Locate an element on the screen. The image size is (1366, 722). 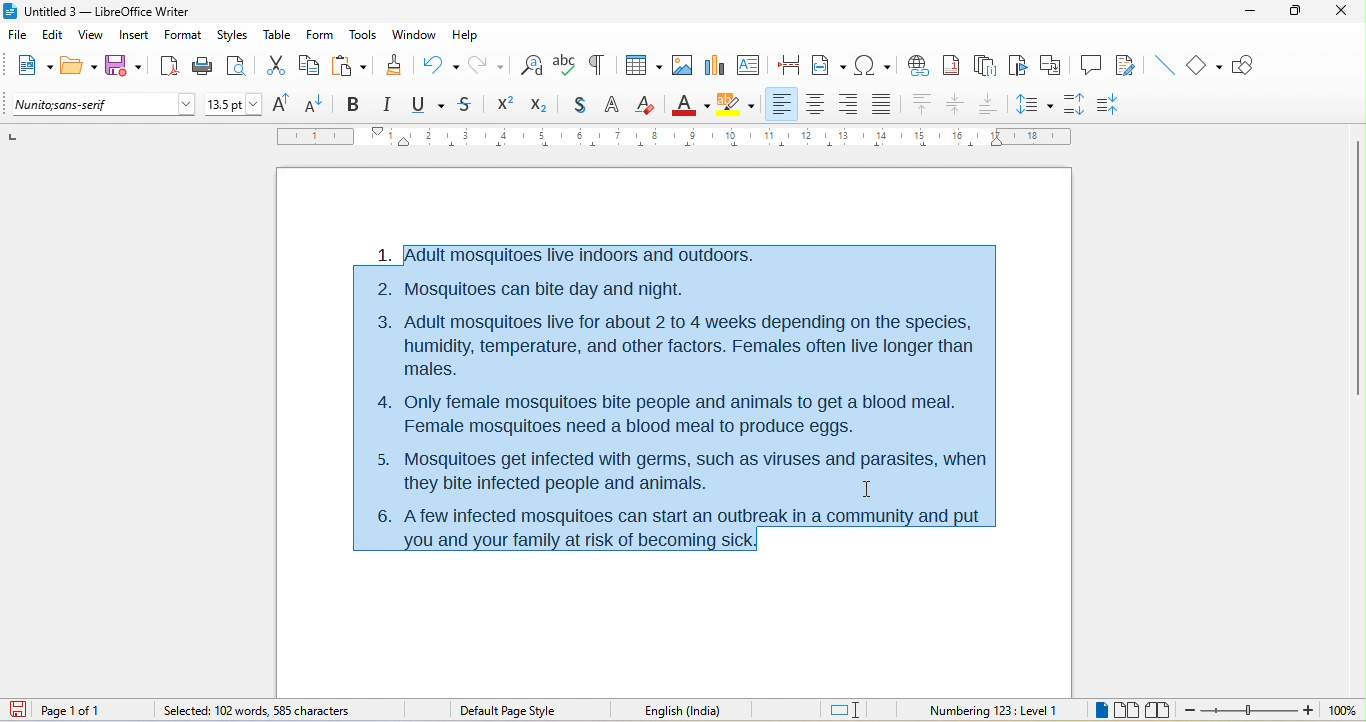
new is located at coordinates (30, 67).